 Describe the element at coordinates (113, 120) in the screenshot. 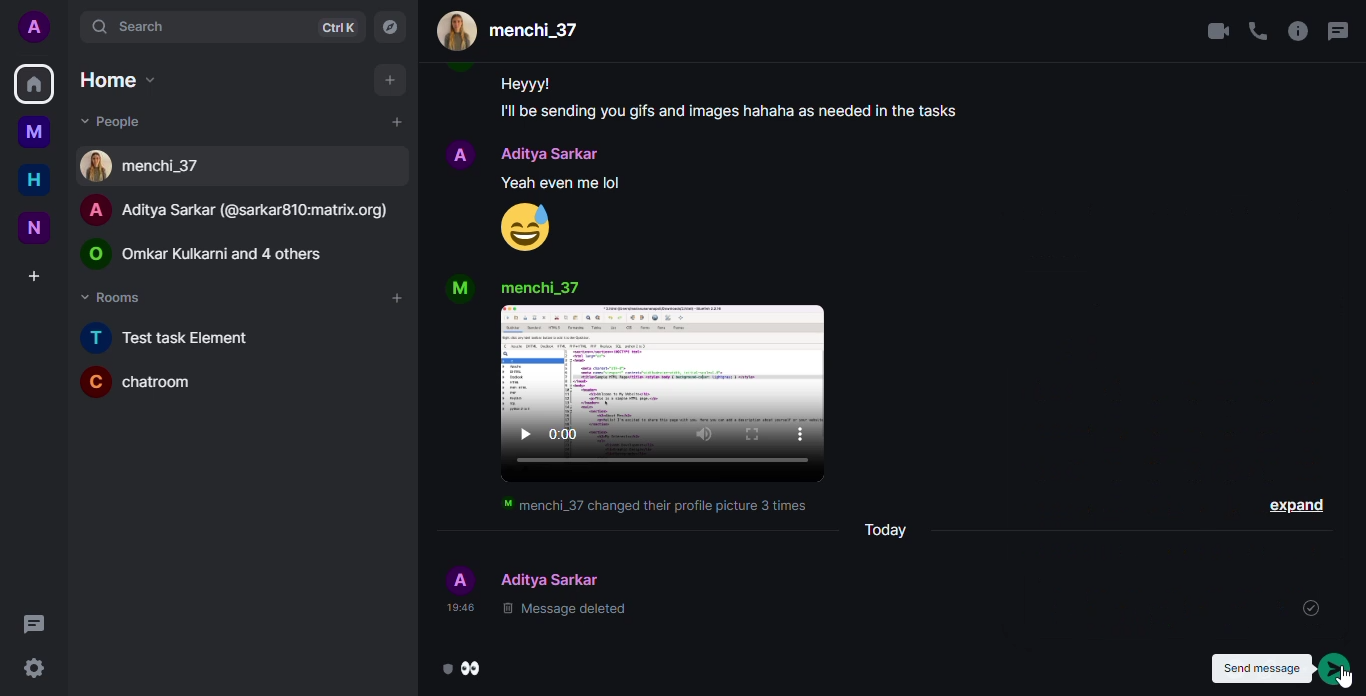

I see `people drop down` at that location.